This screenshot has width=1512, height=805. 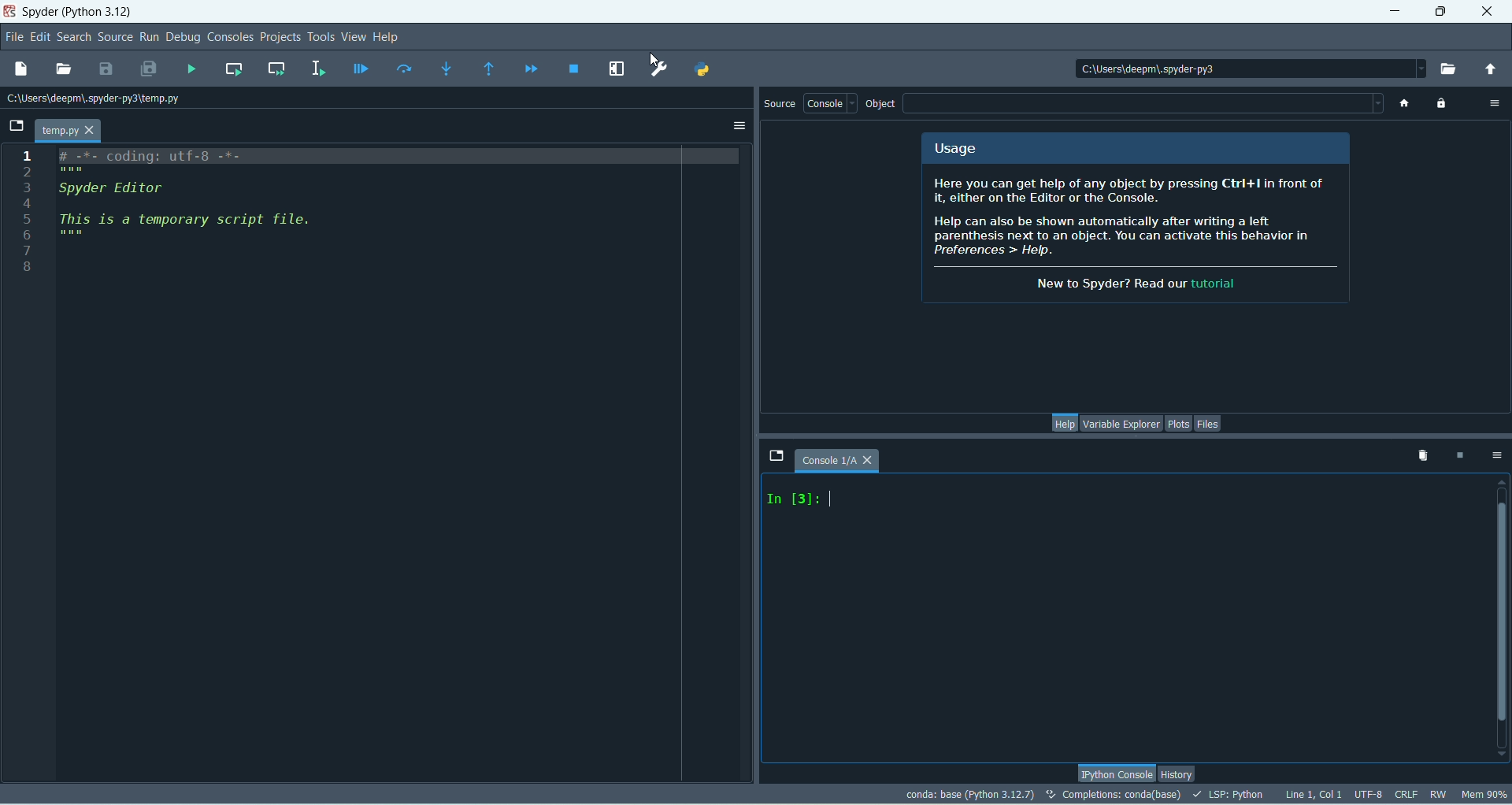 What do you see at coordinates (844, 460) in the screenshot?
I see `console` at bounding box center [844, 460].